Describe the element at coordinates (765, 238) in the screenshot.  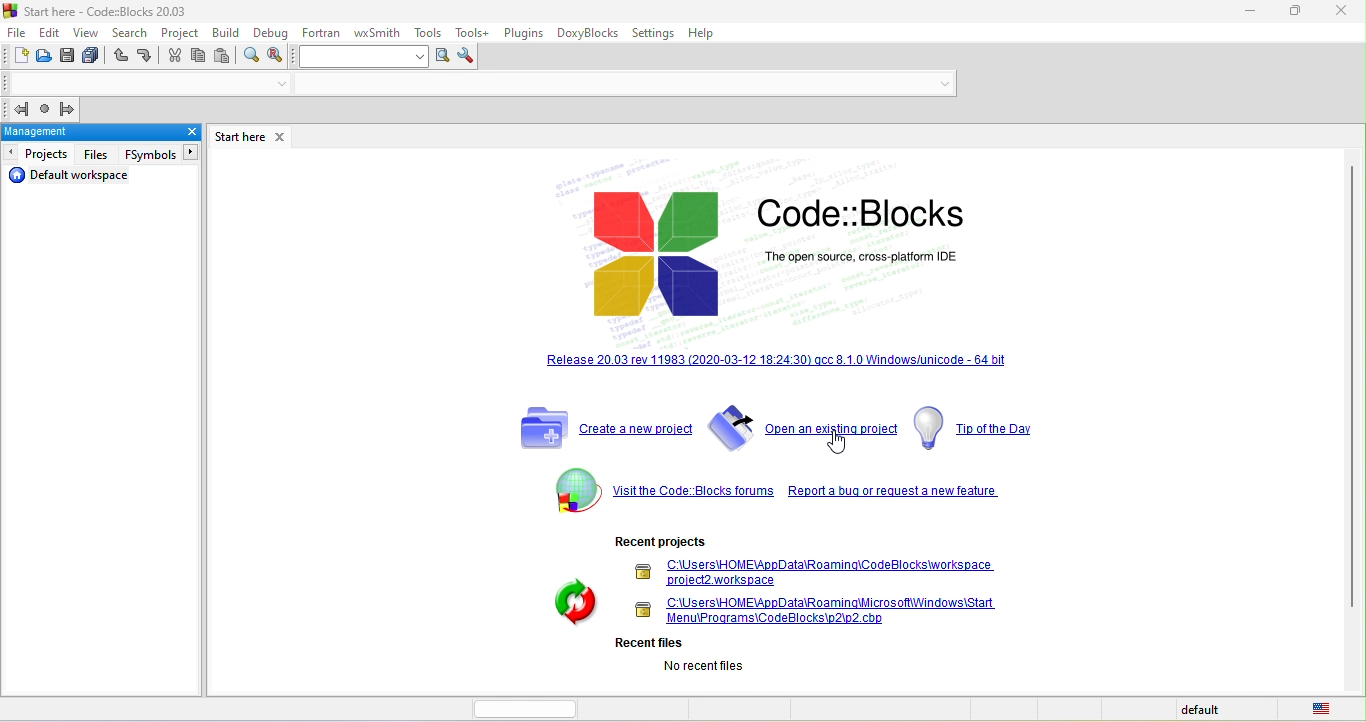
I see `code blocks` at that location.